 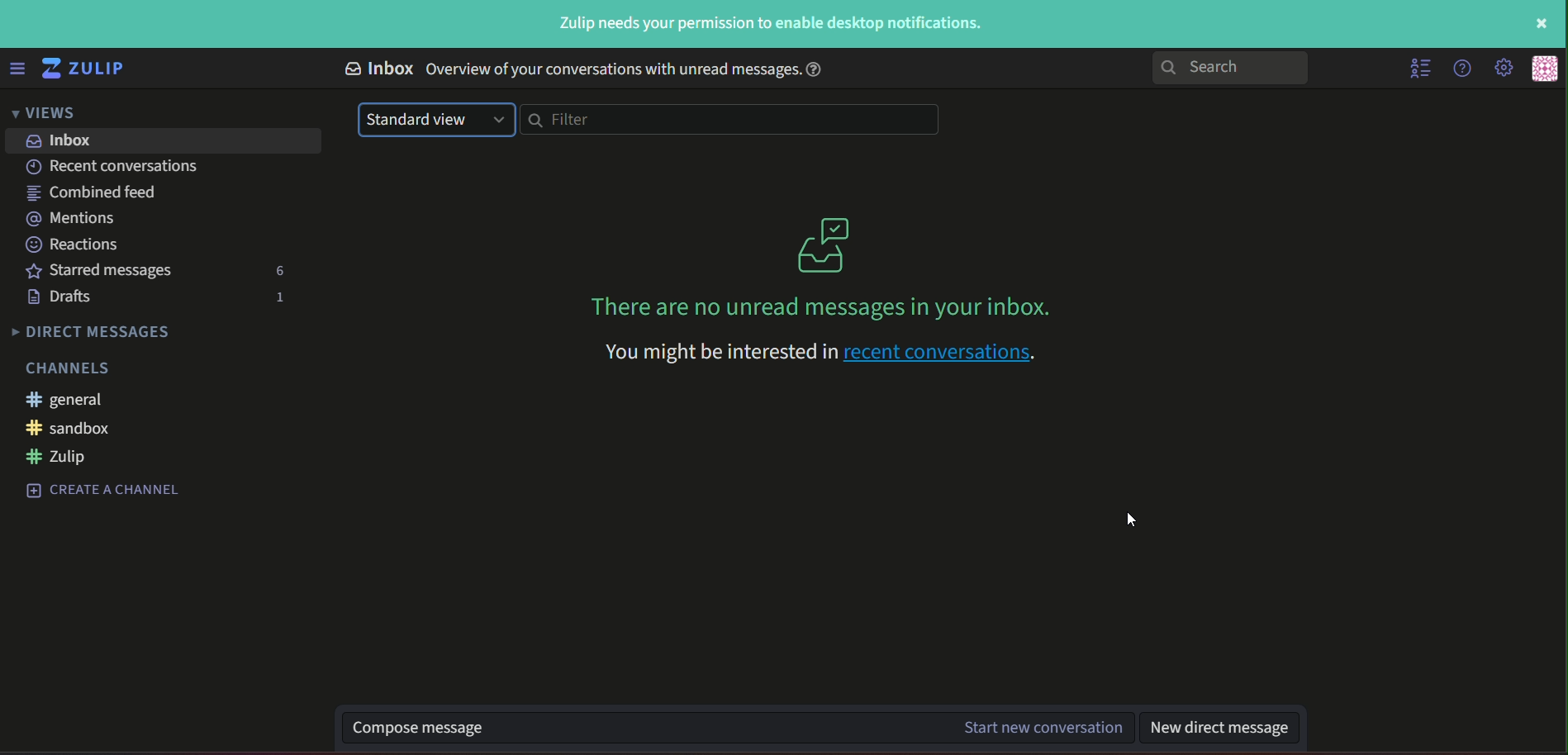 What do you see at coordinates (103, 69) in the screenshot?
I see `title and logo` at bounding box center [103, 69].